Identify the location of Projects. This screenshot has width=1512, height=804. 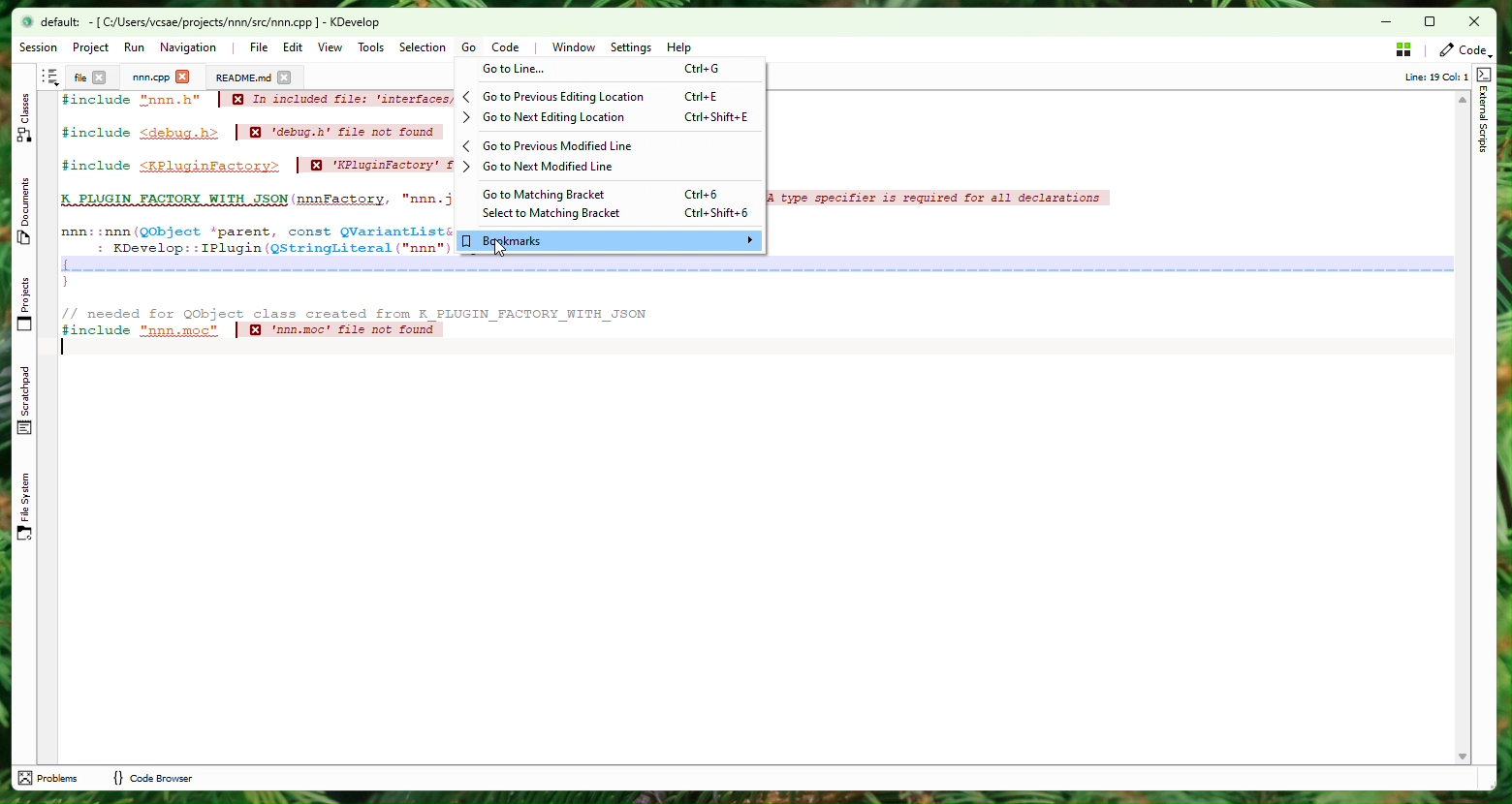
(27, 305).